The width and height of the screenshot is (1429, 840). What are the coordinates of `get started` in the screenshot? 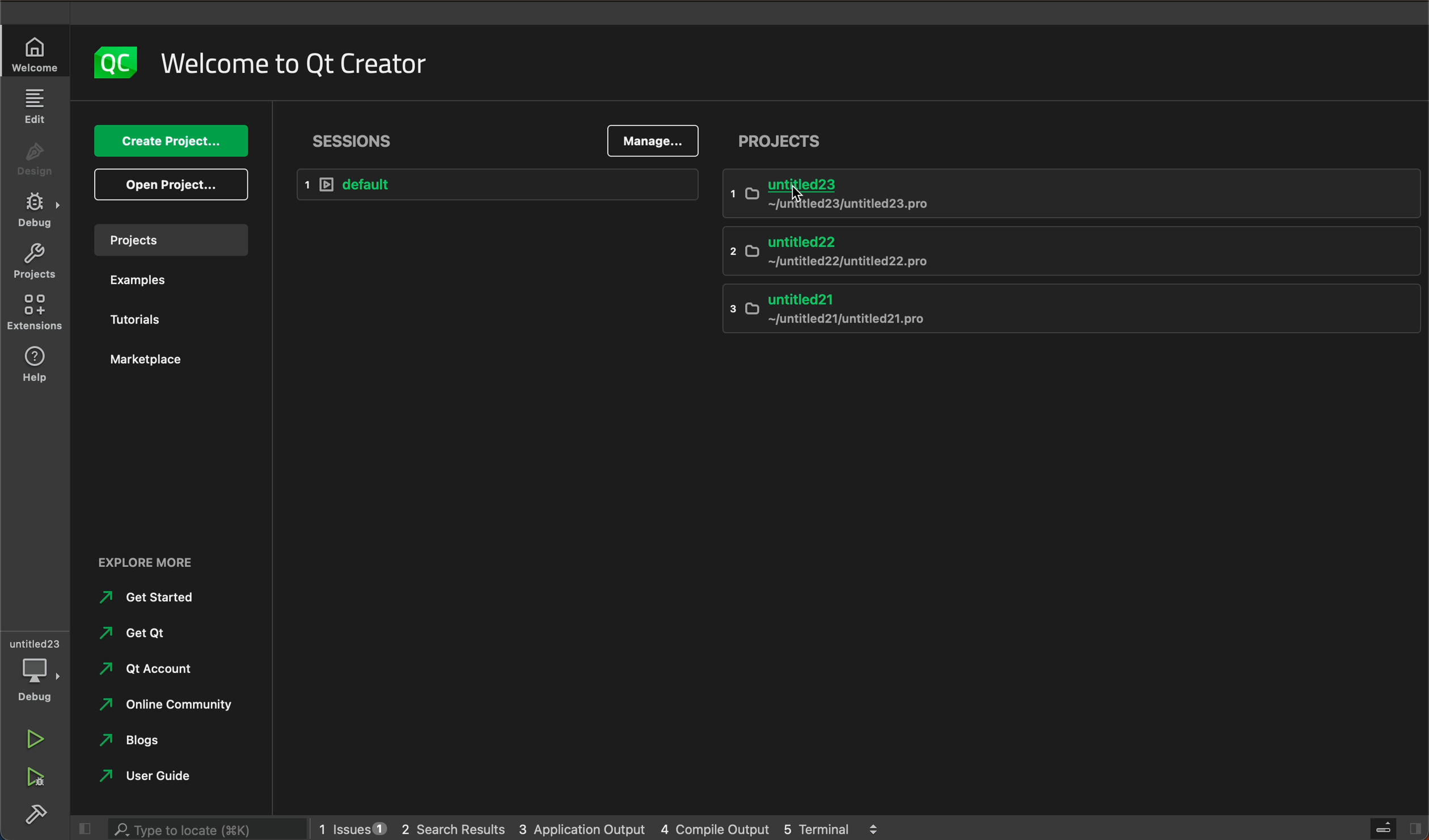 It's located at (150, 599).